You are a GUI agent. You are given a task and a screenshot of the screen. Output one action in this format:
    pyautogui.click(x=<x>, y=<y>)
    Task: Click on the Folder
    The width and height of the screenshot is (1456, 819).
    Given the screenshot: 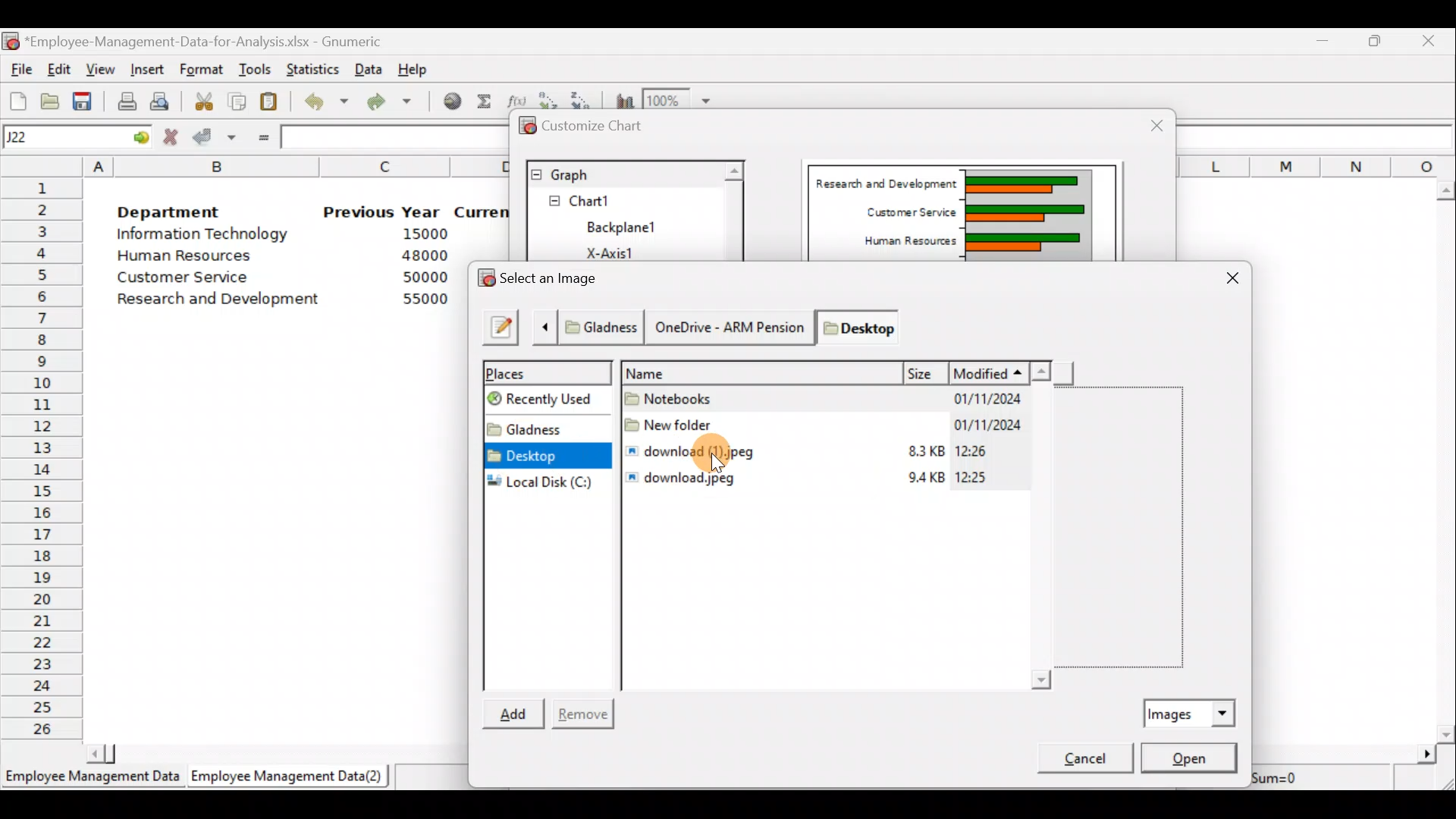 What is the action you would take?
    pyautogui.click(x=542, y=426)
    